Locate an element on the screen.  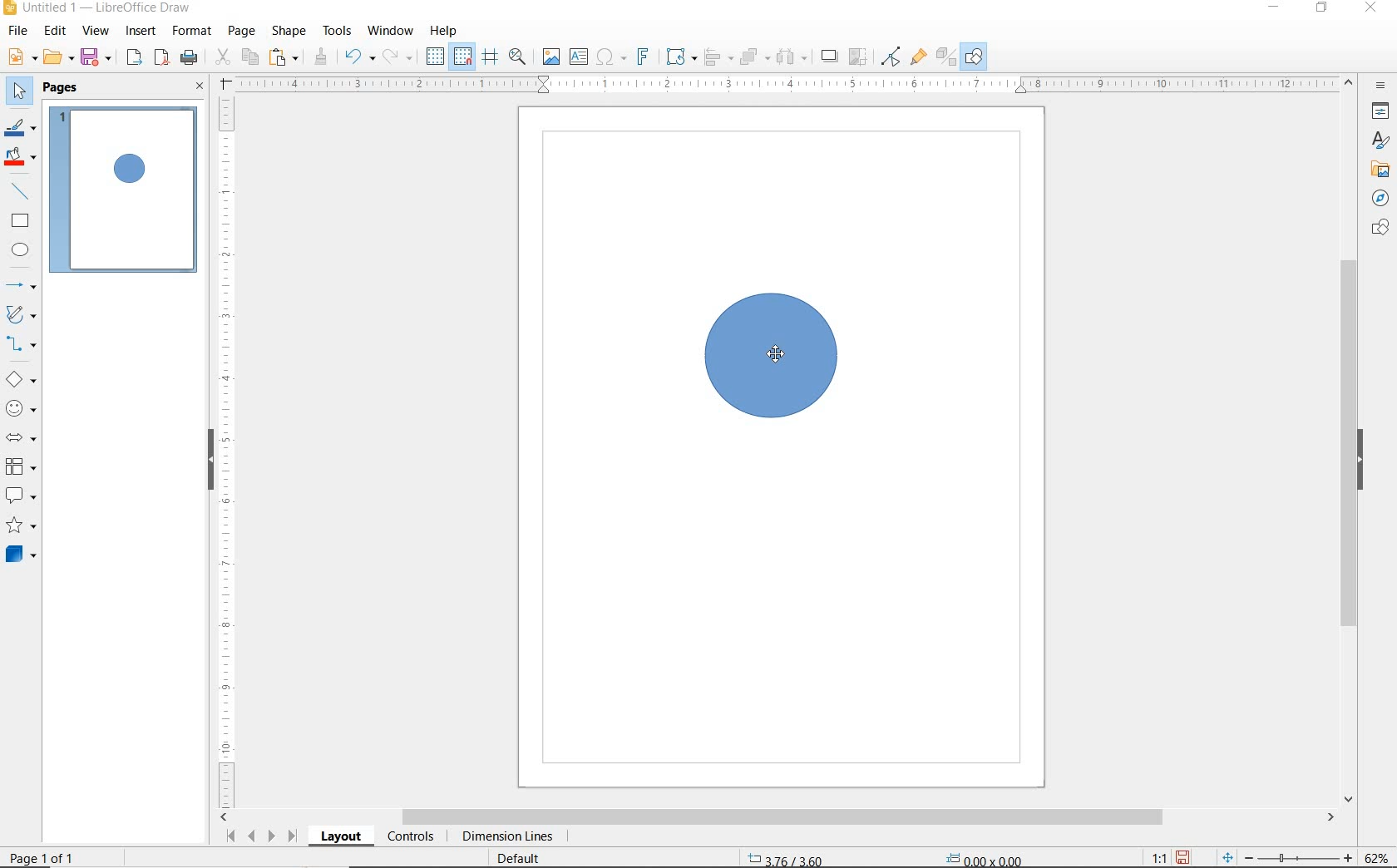
RULER is located at coordinates (227, 451).